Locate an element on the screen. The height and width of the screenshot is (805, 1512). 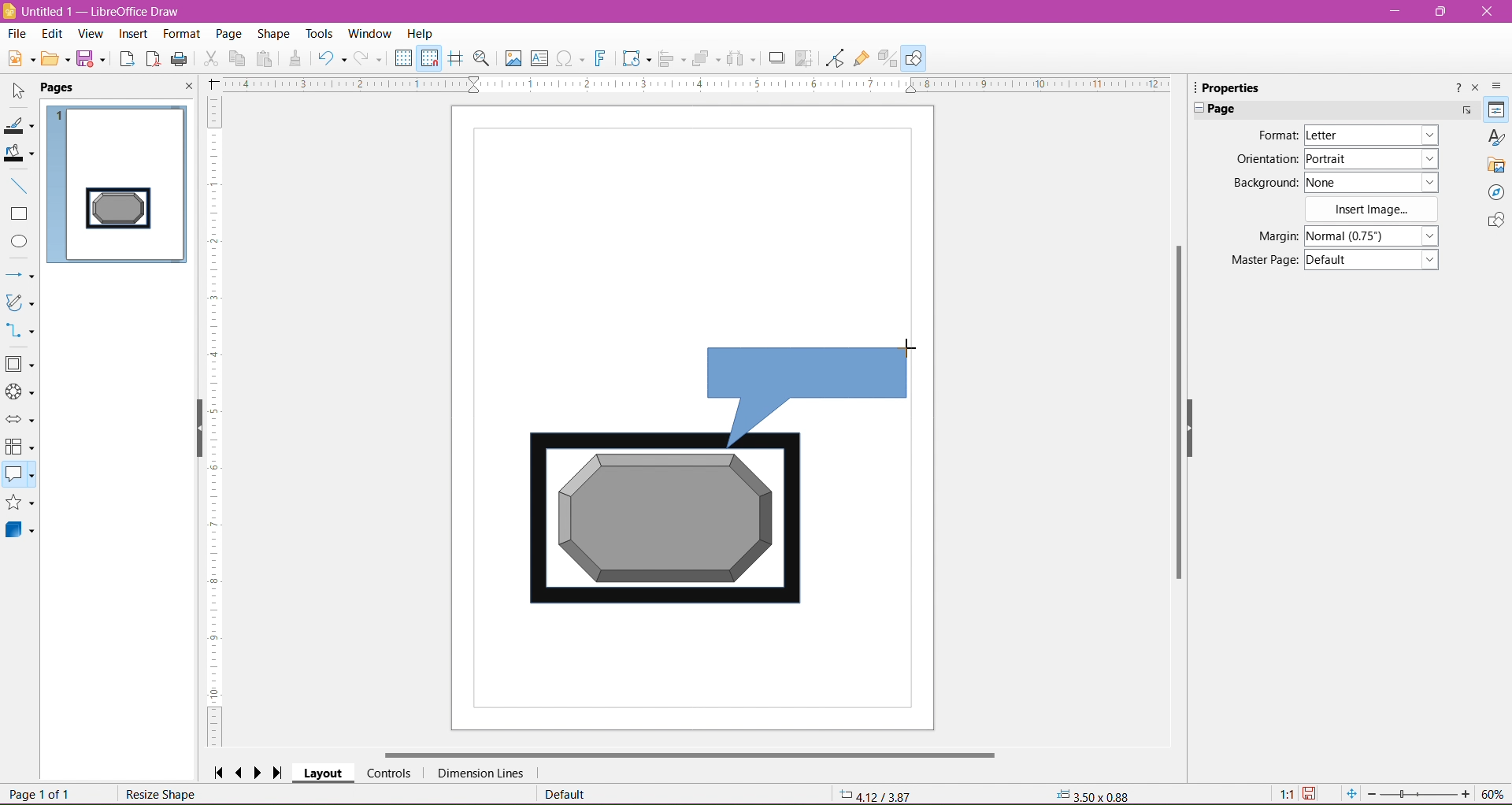
3D Objects is located at coordinates (20, 532).